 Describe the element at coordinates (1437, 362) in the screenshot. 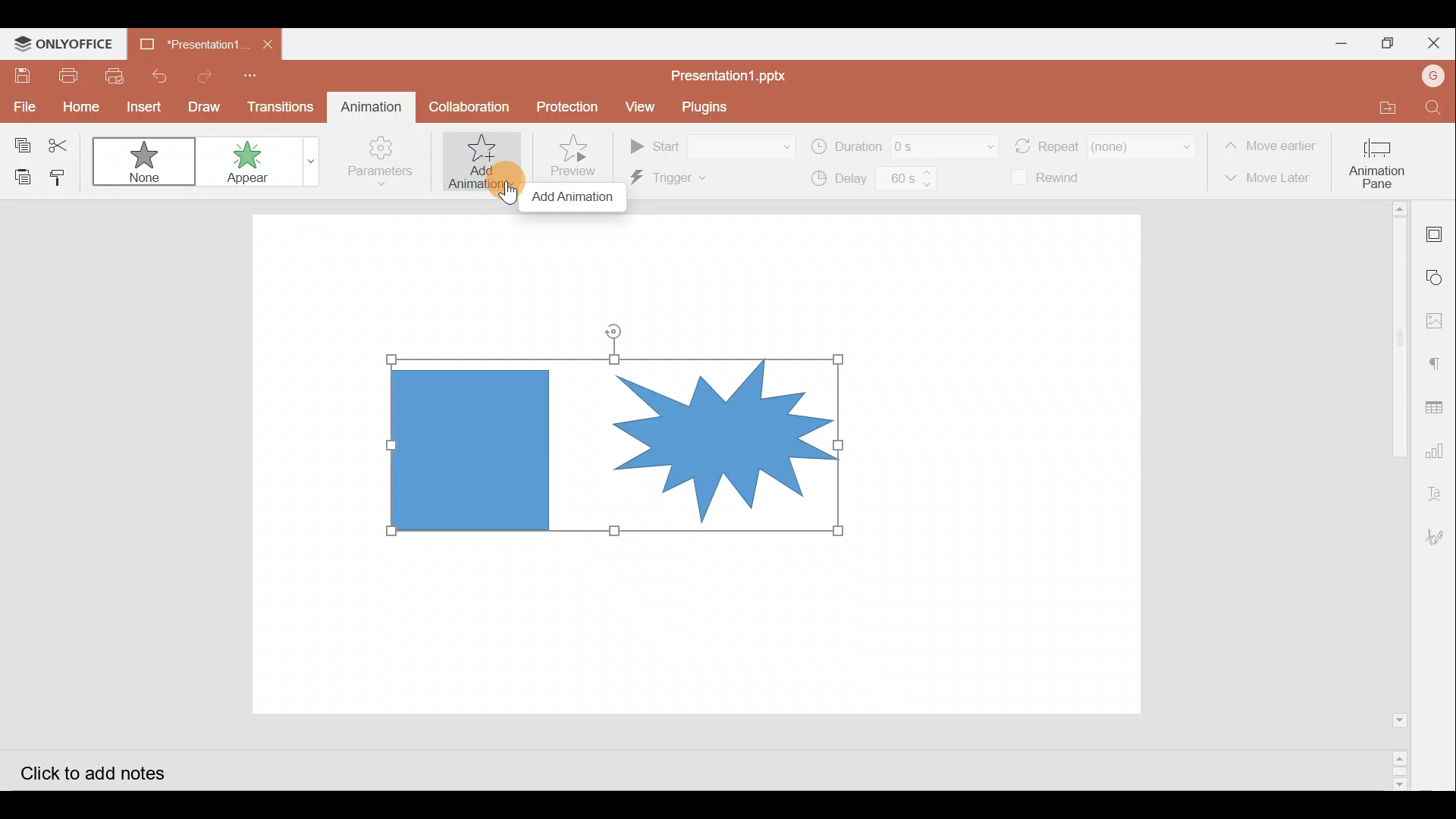

I see `Paragraph settings` at that location.